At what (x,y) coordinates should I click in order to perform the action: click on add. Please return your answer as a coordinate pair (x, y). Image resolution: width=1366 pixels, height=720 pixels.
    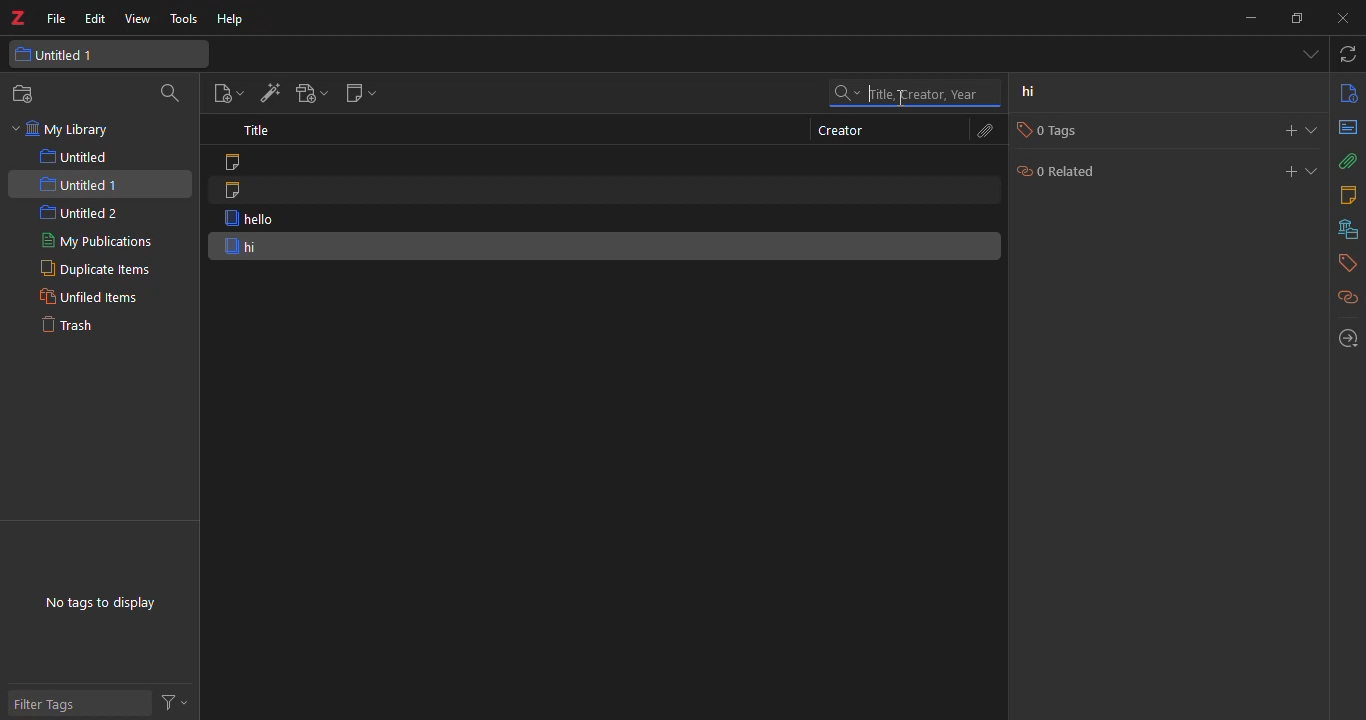
    Looking at the image, I should click on (1281, 172).